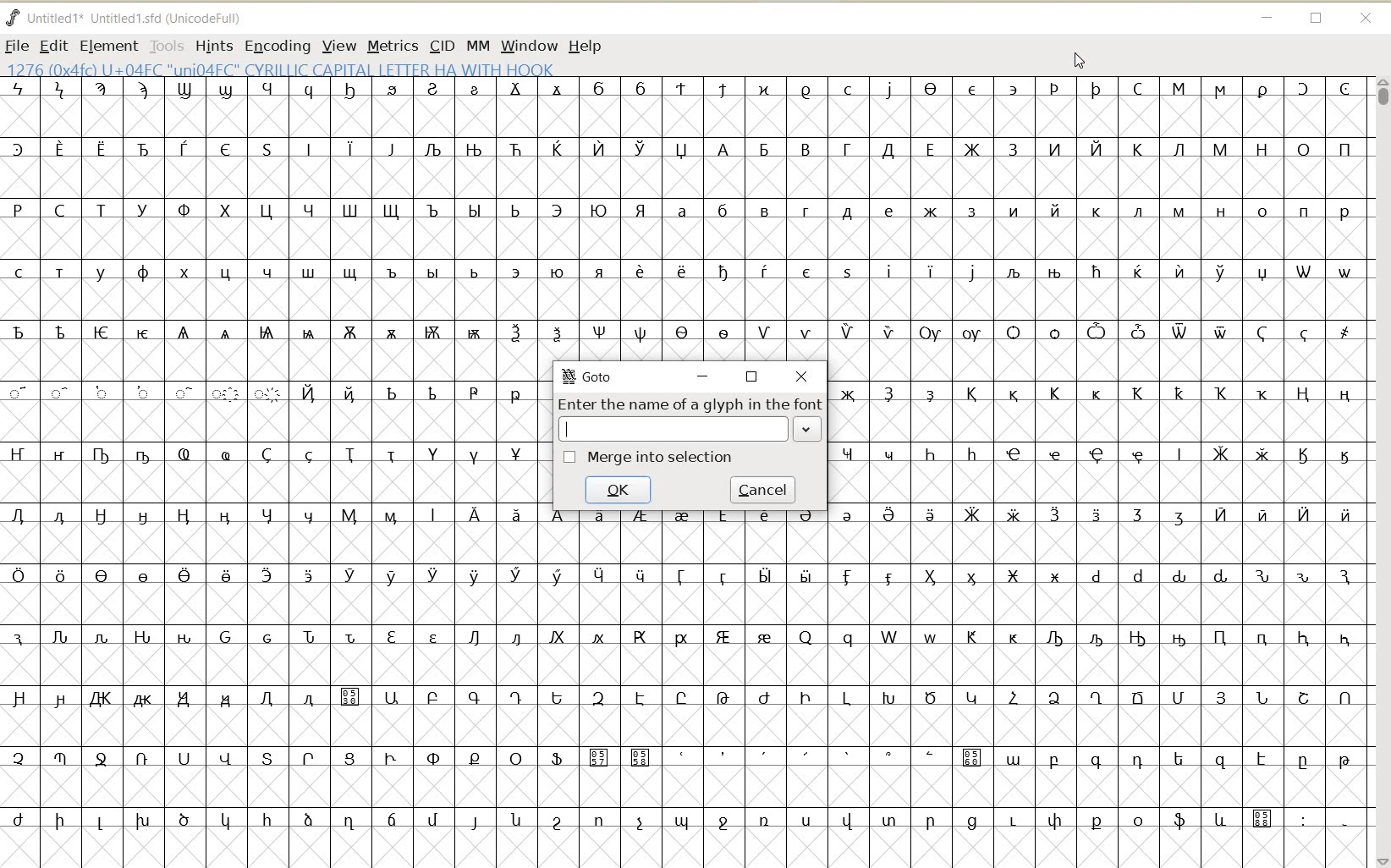 This screenshot has width=1391, height=868. What do you see at coordinates (953, 200) in the screenshot?
I see `glyph characters` at bounding box center [953, 200].